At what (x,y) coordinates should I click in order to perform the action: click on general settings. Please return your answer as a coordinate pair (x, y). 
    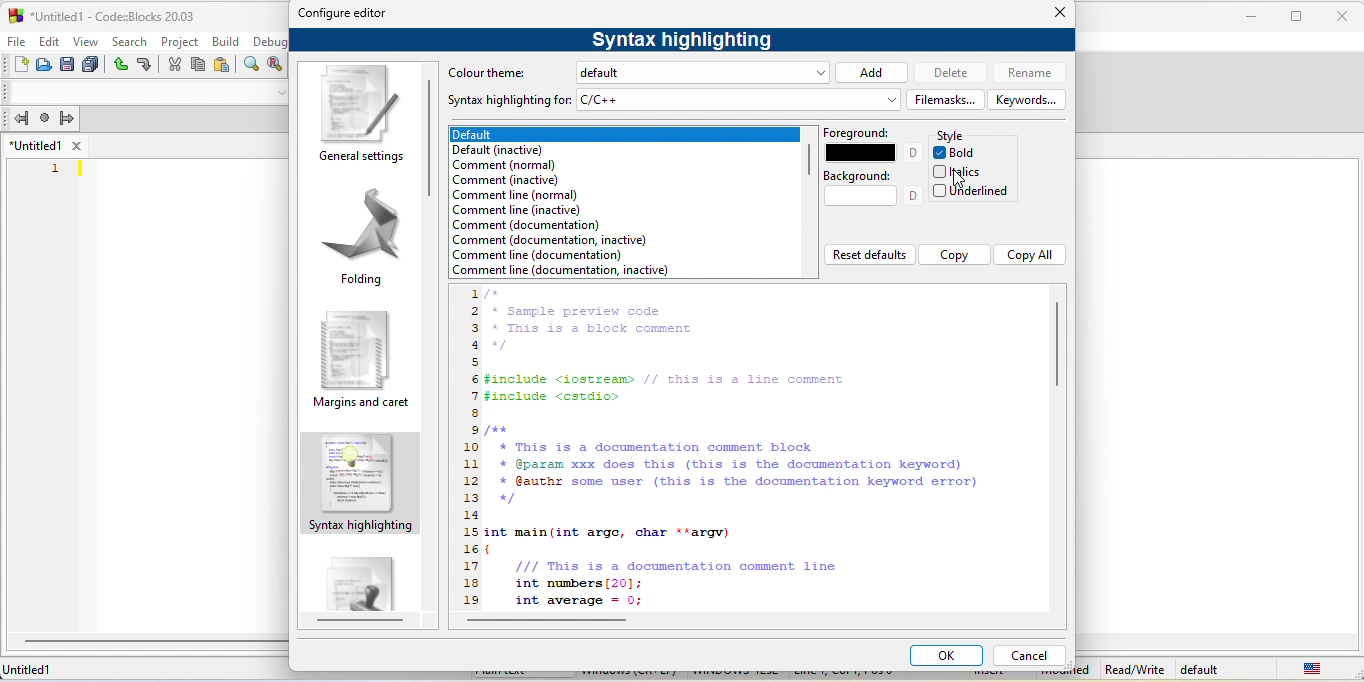
    Looking at the image, I should click on (359, 116).